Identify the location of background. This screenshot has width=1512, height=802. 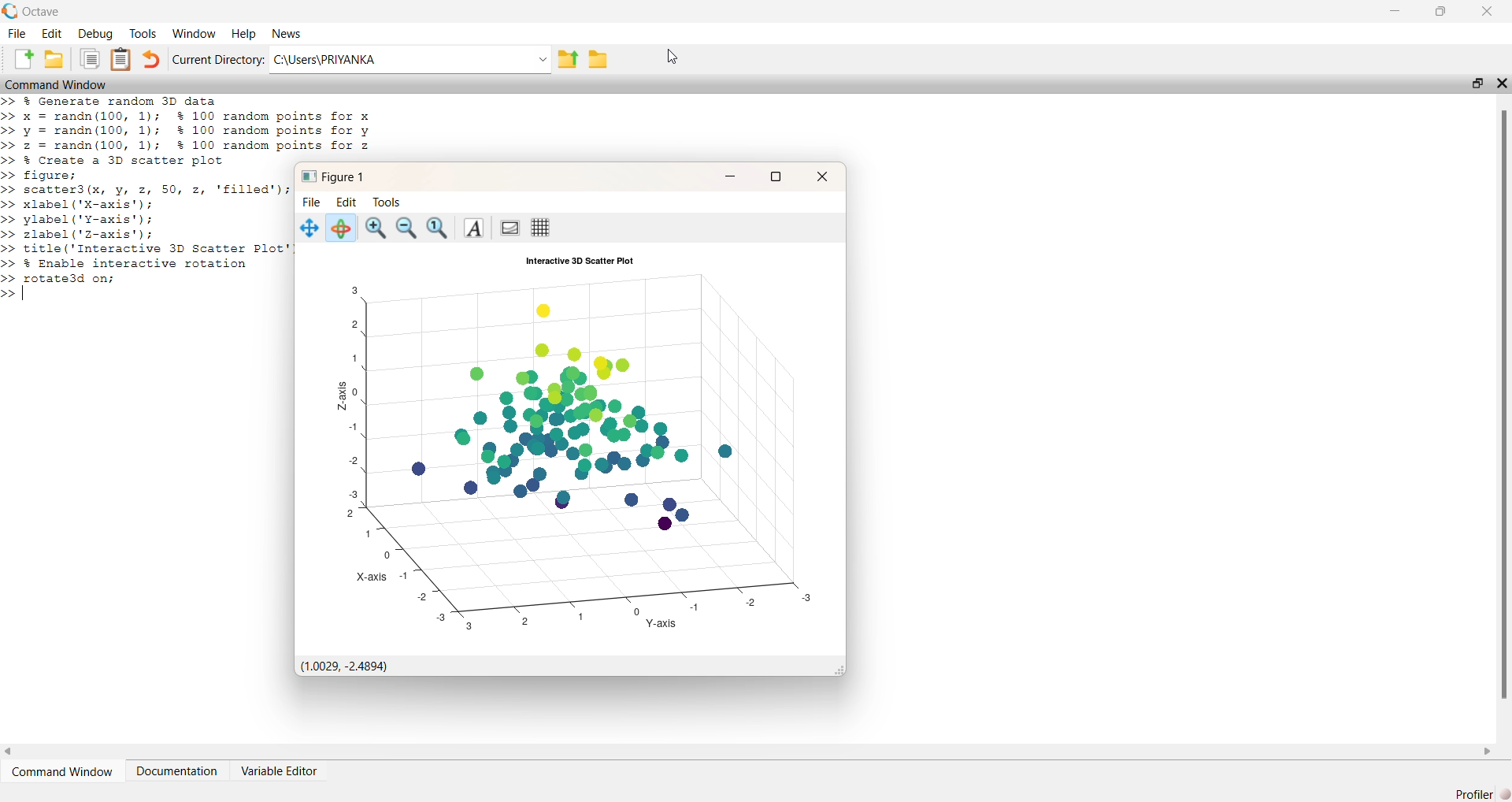
(508, 228).